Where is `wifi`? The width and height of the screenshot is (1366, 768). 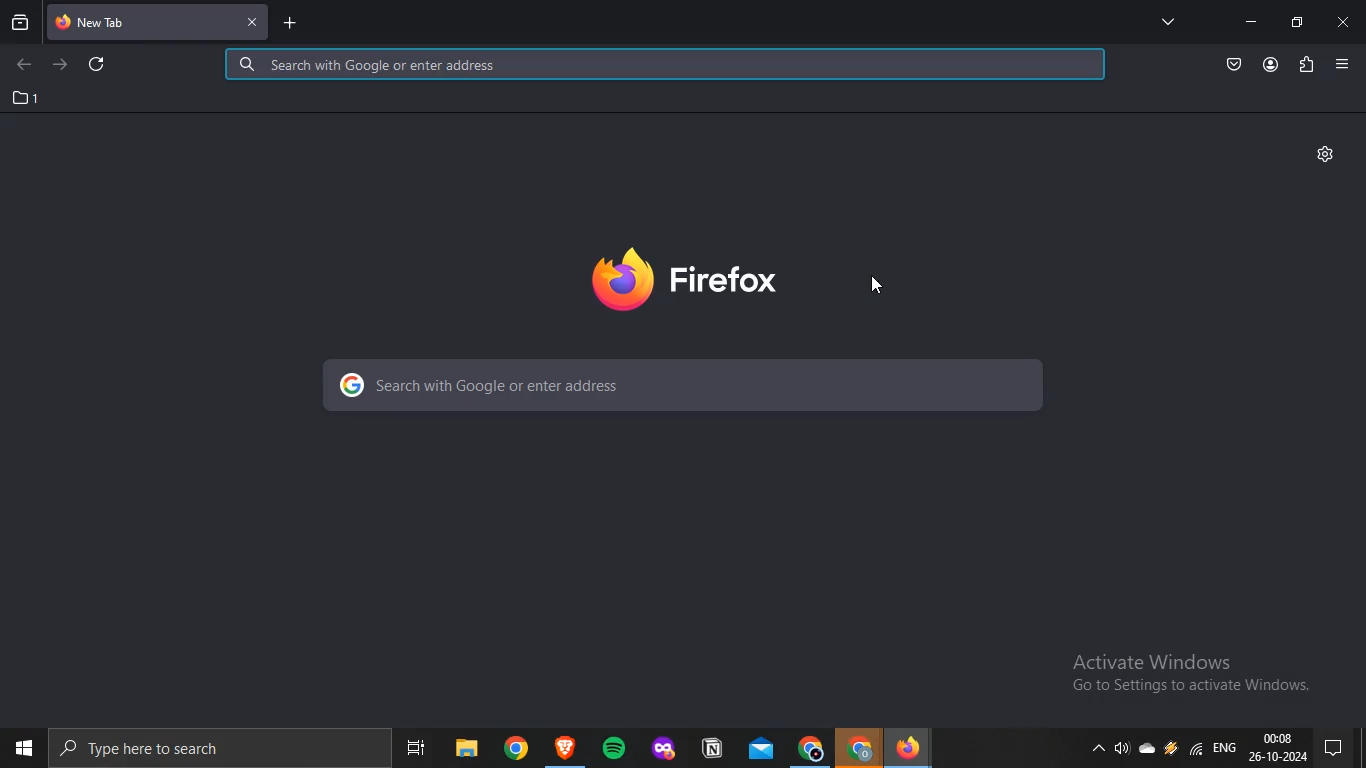
wifi is located at coordinates (1197, 752).